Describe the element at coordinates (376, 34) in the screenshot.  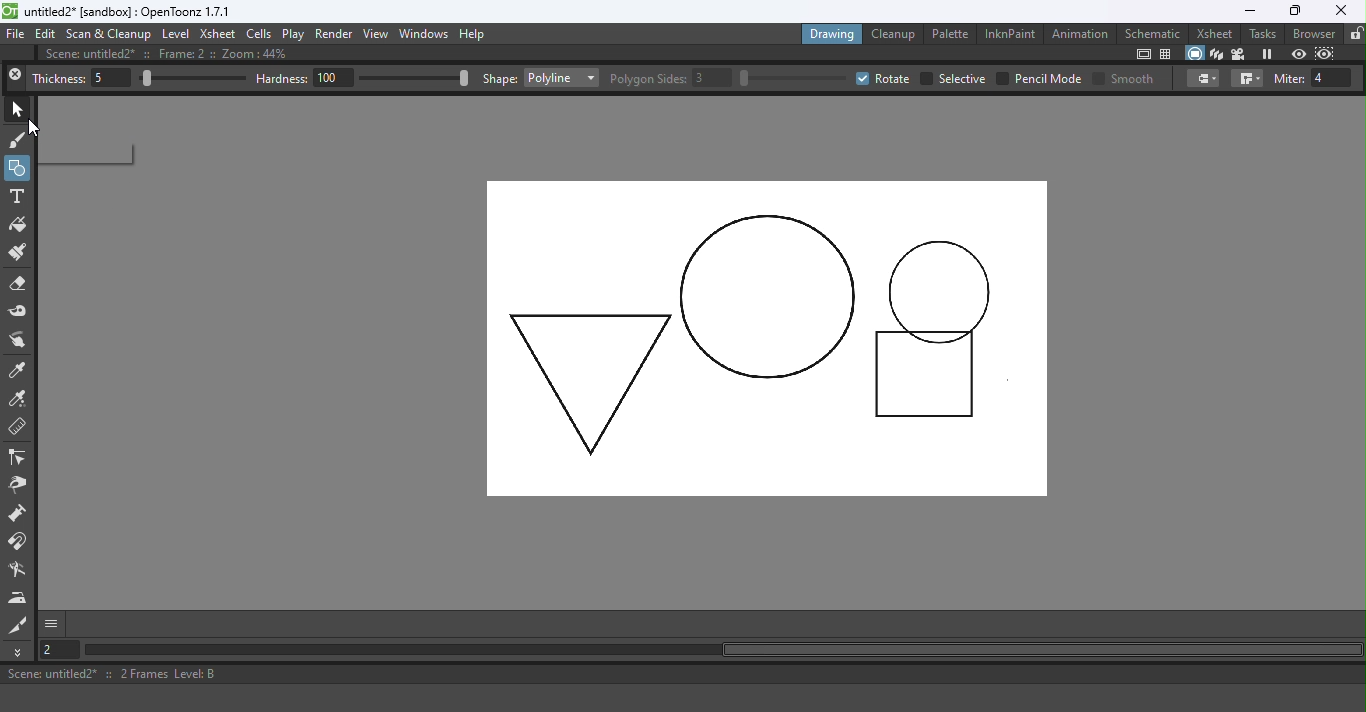
I see `View` at that location.